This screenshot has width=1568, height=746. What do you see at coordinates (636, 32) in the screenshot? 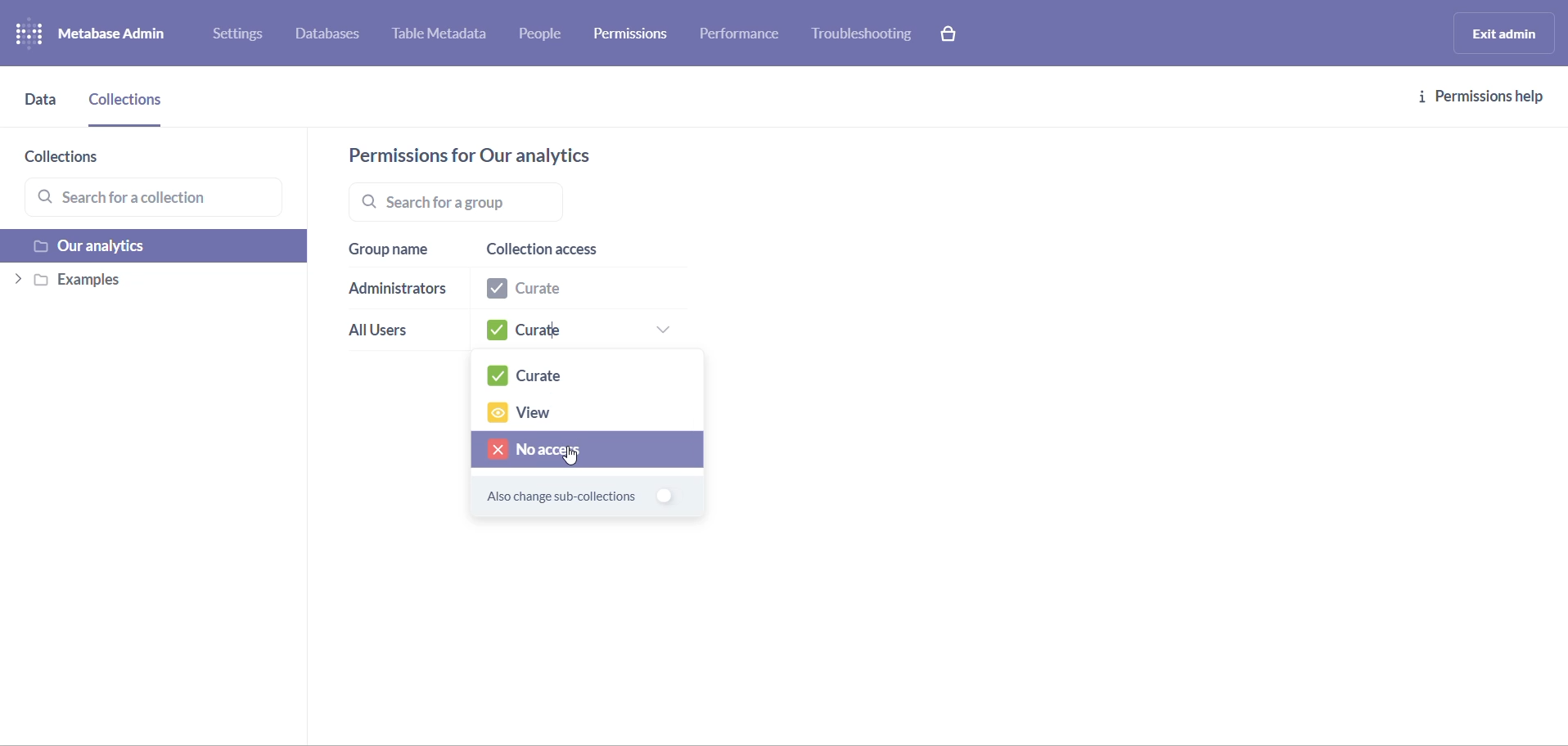
I see `permissions` at bounding box center [636, 32].